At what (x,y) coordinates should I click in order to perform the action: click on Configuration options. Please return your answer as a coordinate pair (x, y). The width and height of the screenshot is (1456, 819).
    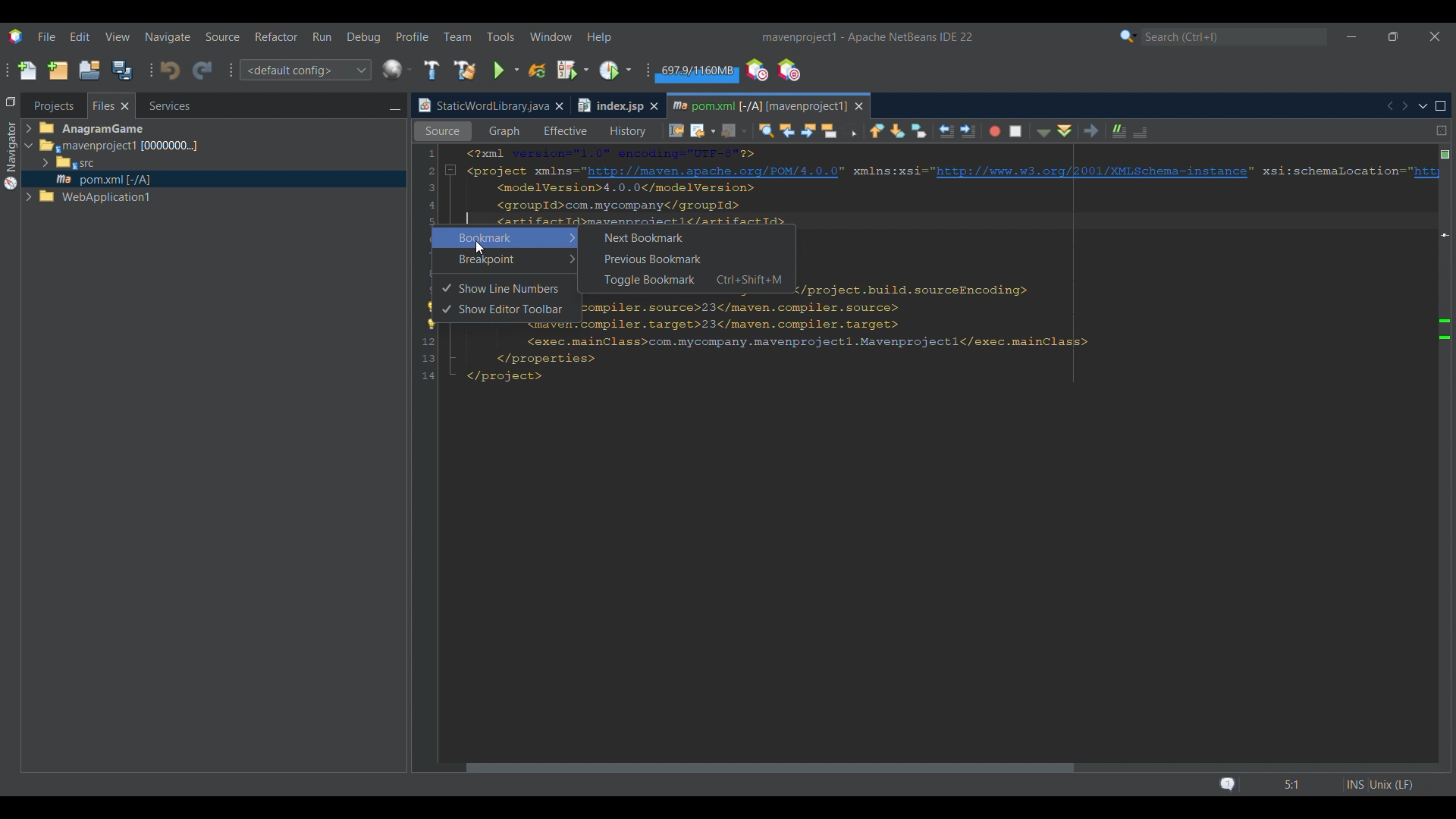
    Looking at the image, I should click on (305, 70).